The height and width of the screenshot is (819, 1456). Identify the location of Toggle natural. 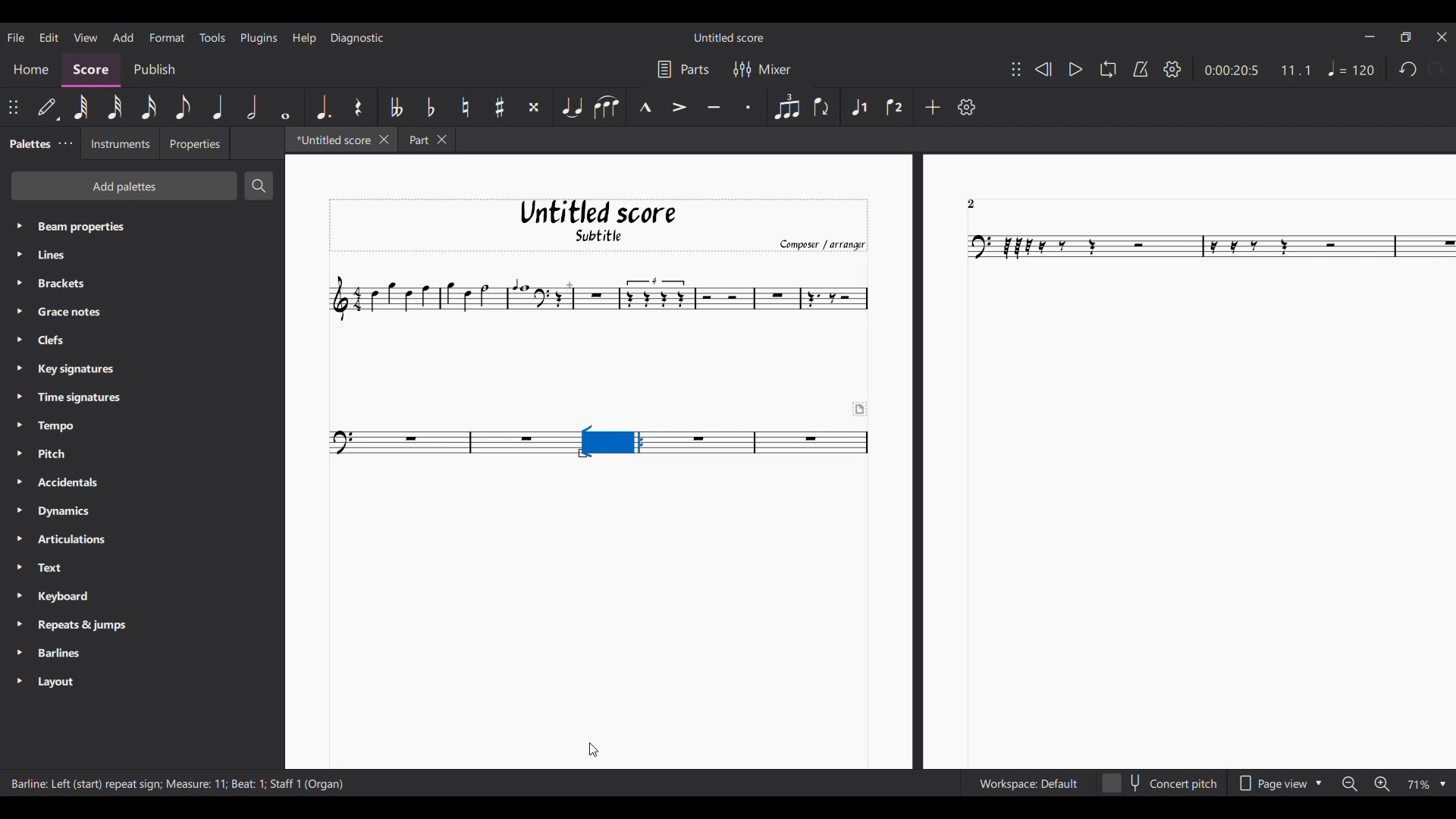
(465, 107).